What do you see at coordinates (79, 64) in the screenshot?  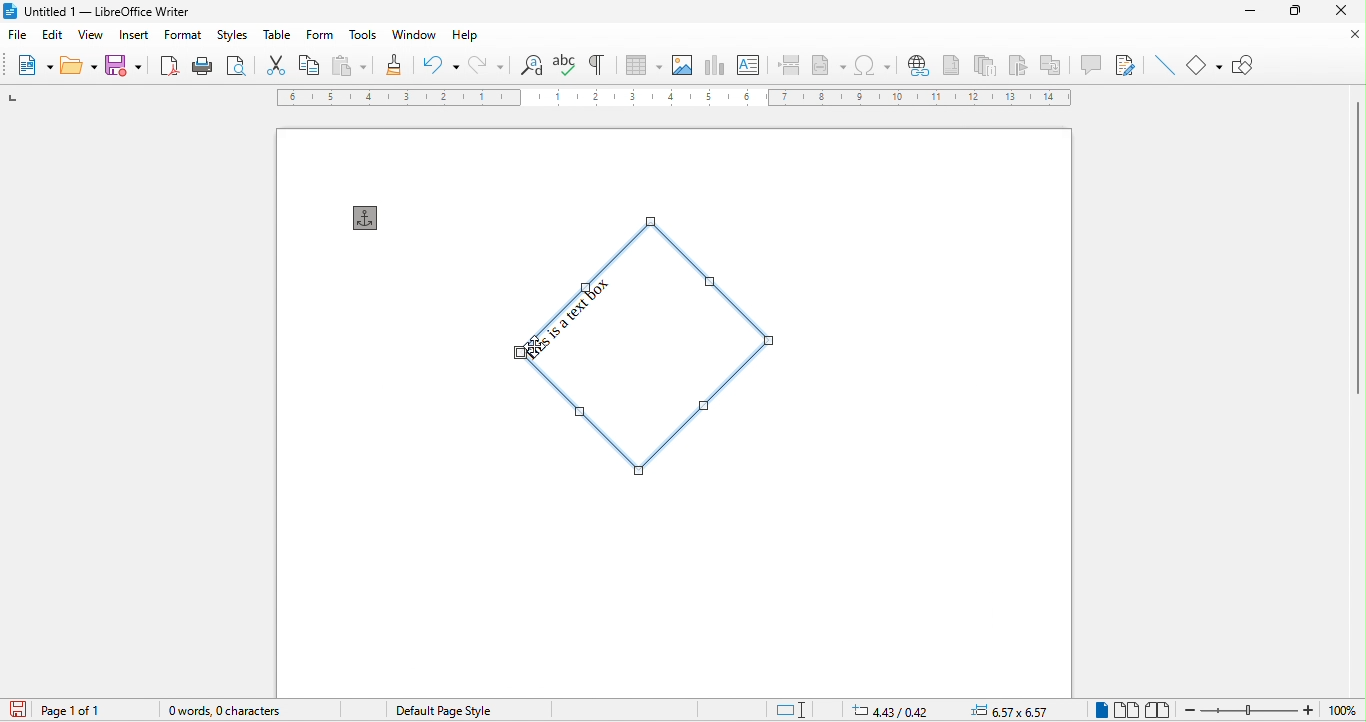 I see `open` at bounding box center [79, 64].